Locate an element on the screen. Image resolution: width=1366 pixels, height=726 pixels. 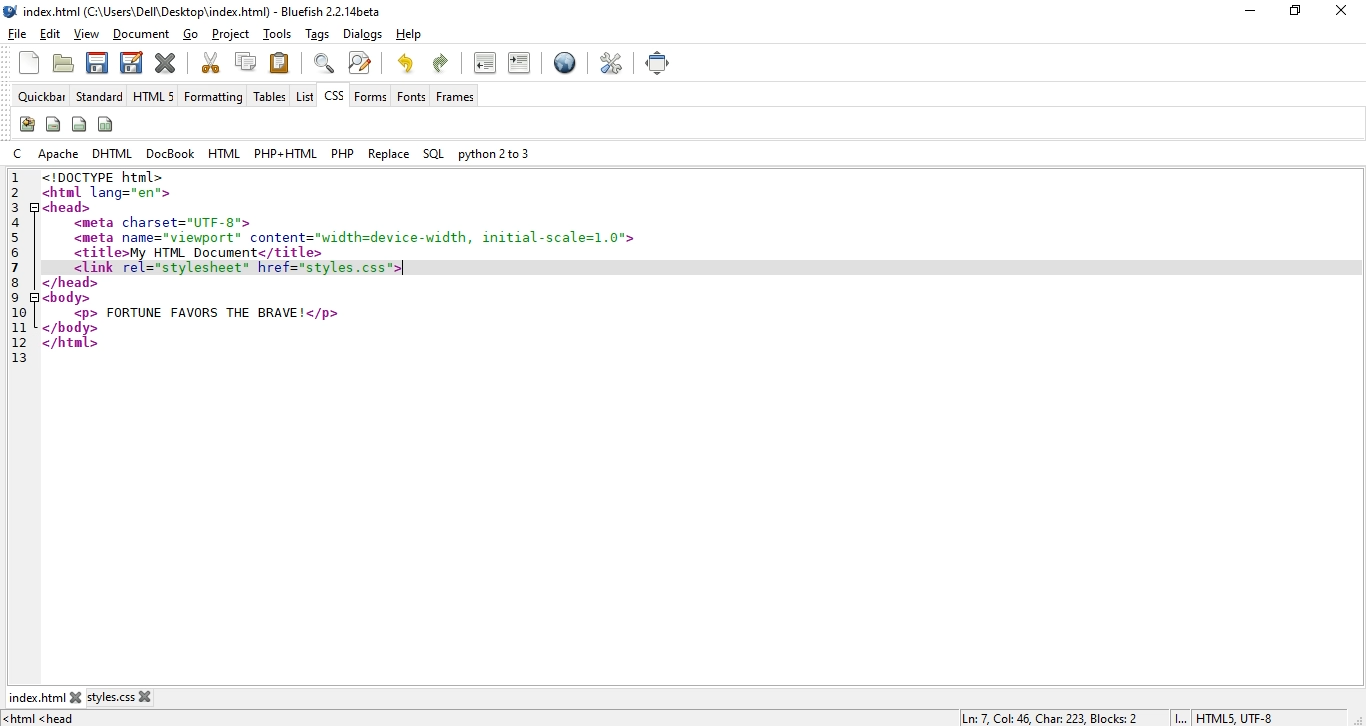
project is located at coordinates (232, 34).